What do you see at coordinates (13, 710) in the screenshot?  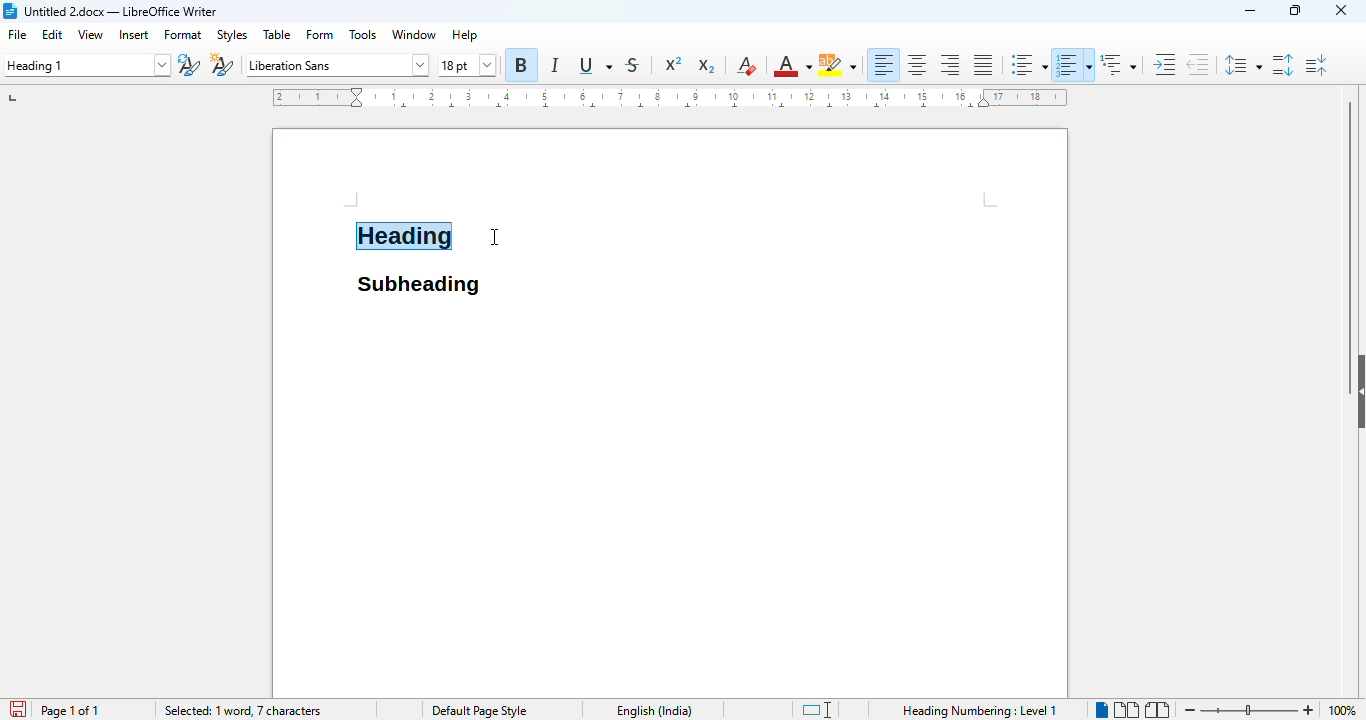 I see `click to save document` at bounding box center [13, 710].